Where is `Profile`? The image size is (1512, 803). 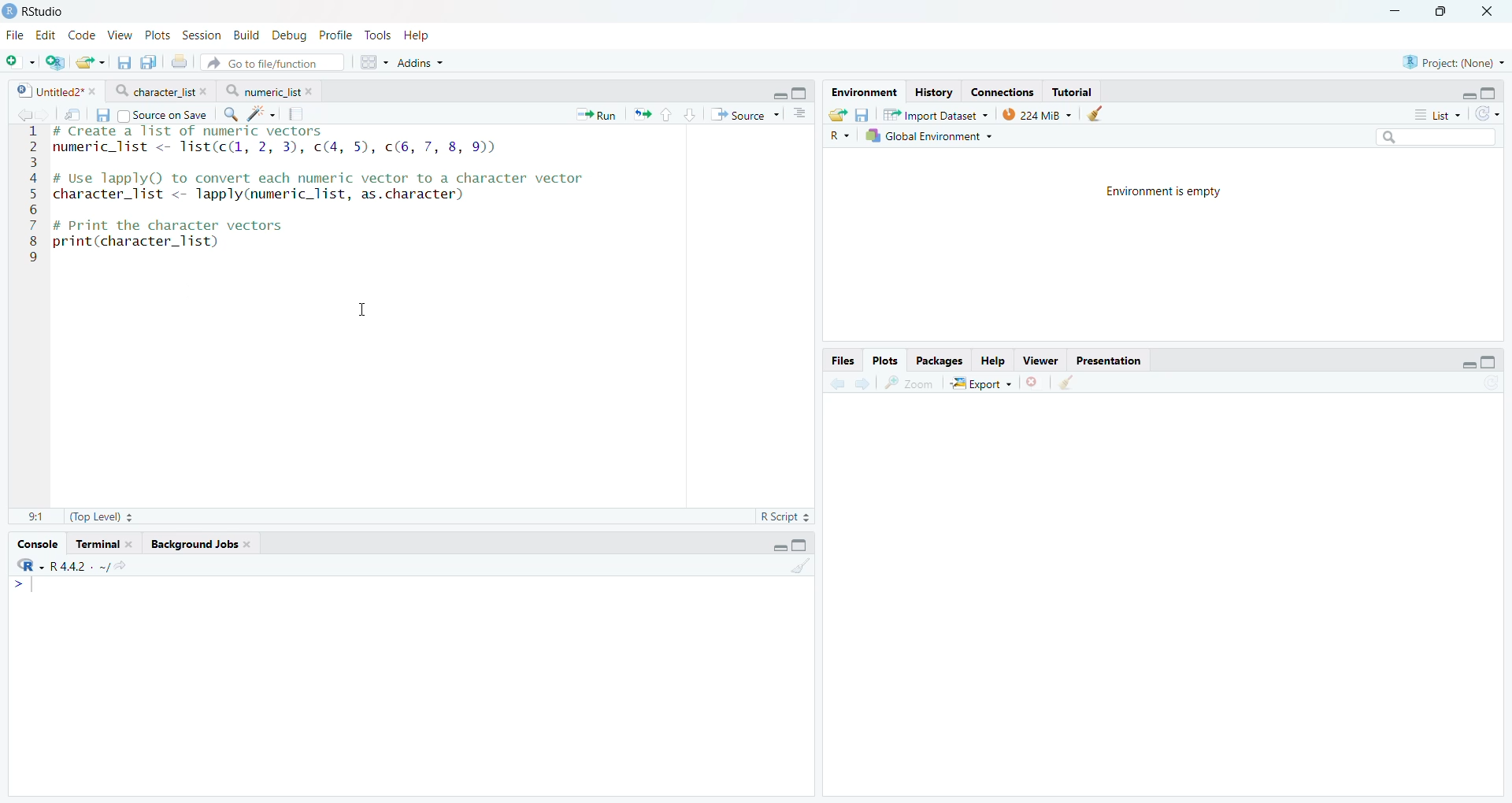
Profile is located at coordinates (335, 35).